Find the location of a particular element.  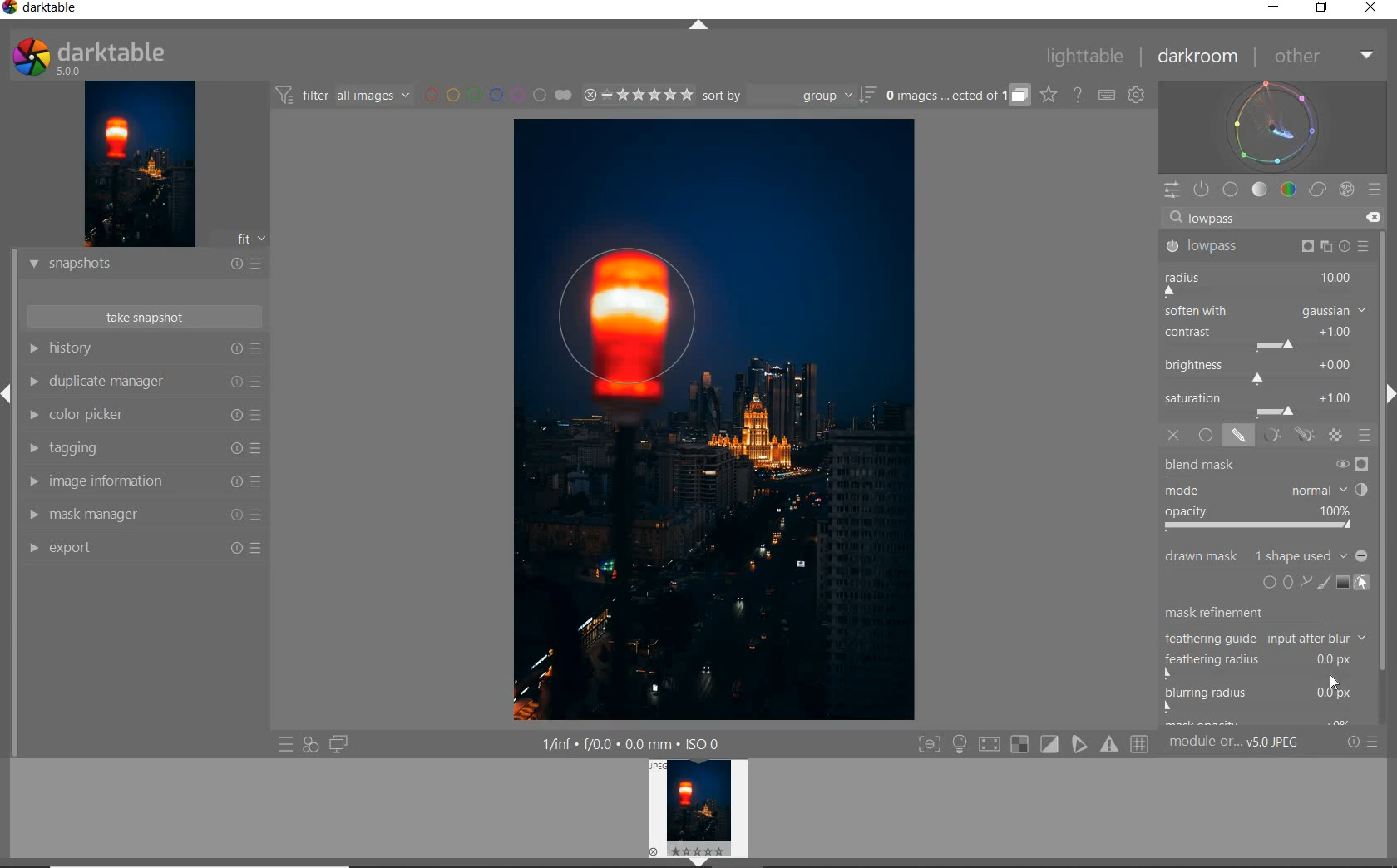

IMAGE INFORMATION is located at coordinates (143, 483).